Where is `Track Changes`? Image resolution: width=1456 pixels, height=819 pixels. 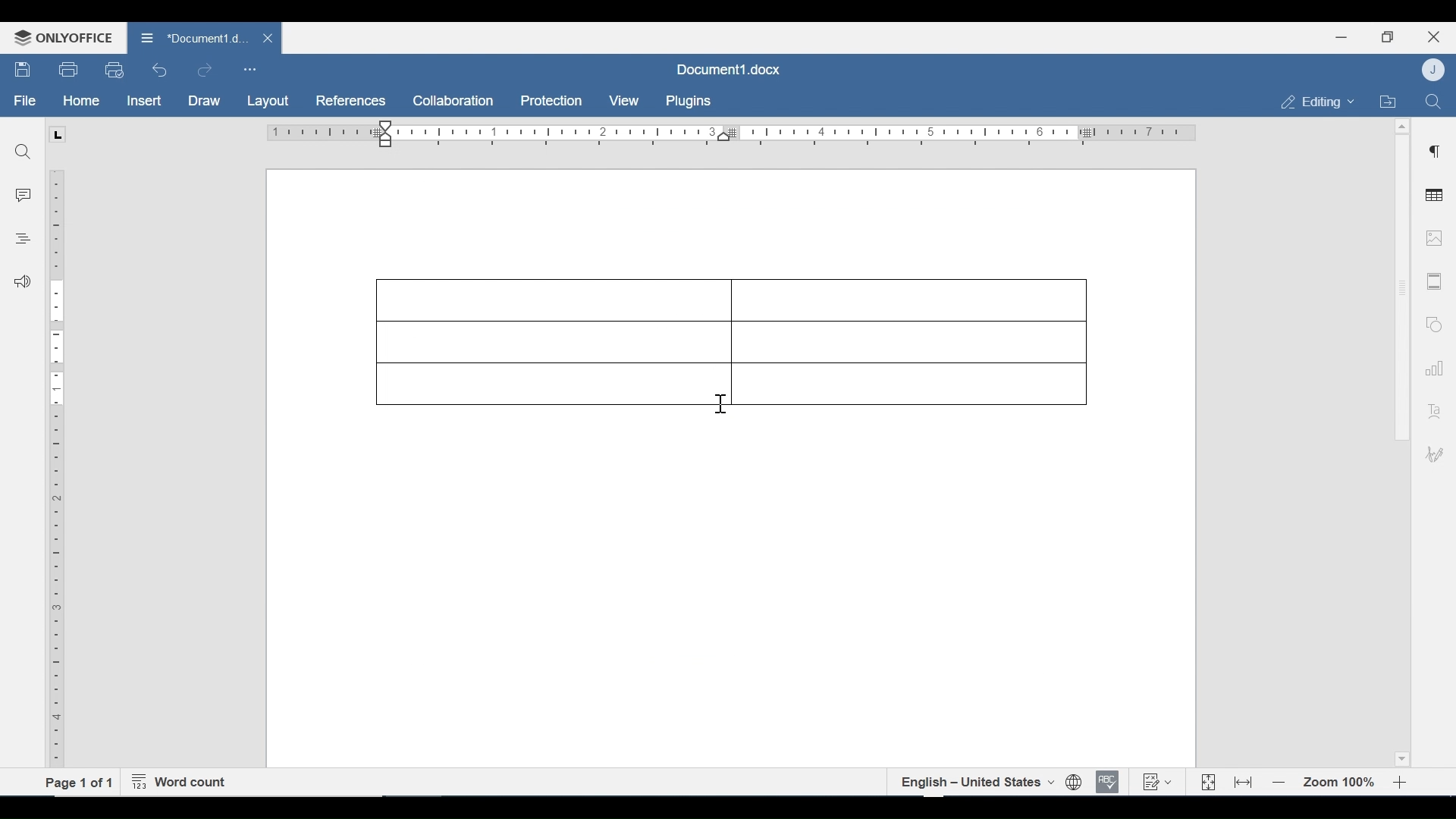 Track Changes is located at coordinates (1156, 781).